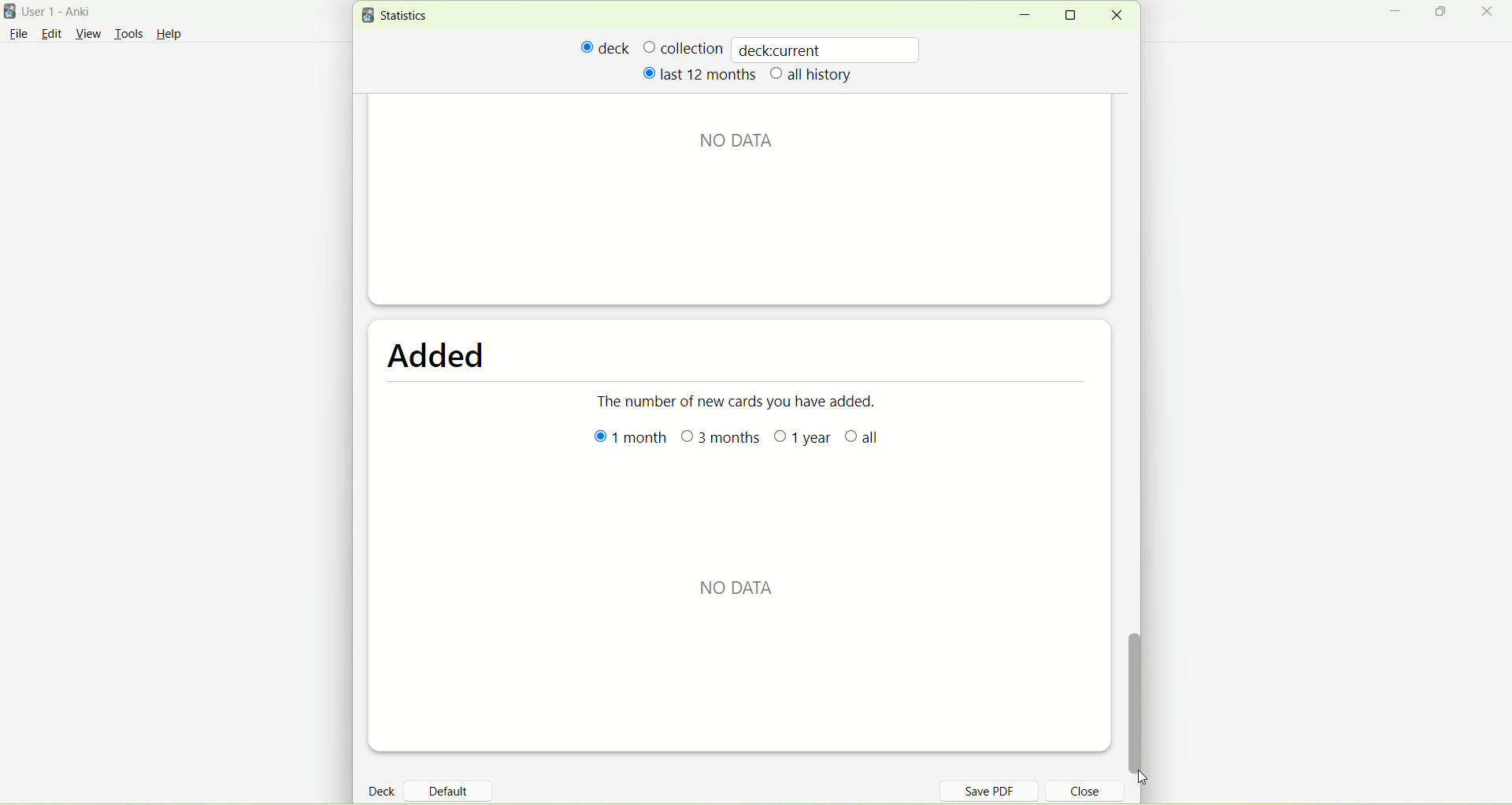 This screenshot has width=1512, height=805. What do you see at coordinates (1076, 15) in the screenshot?
I see `maximize` at bounding box center [1076, 15].